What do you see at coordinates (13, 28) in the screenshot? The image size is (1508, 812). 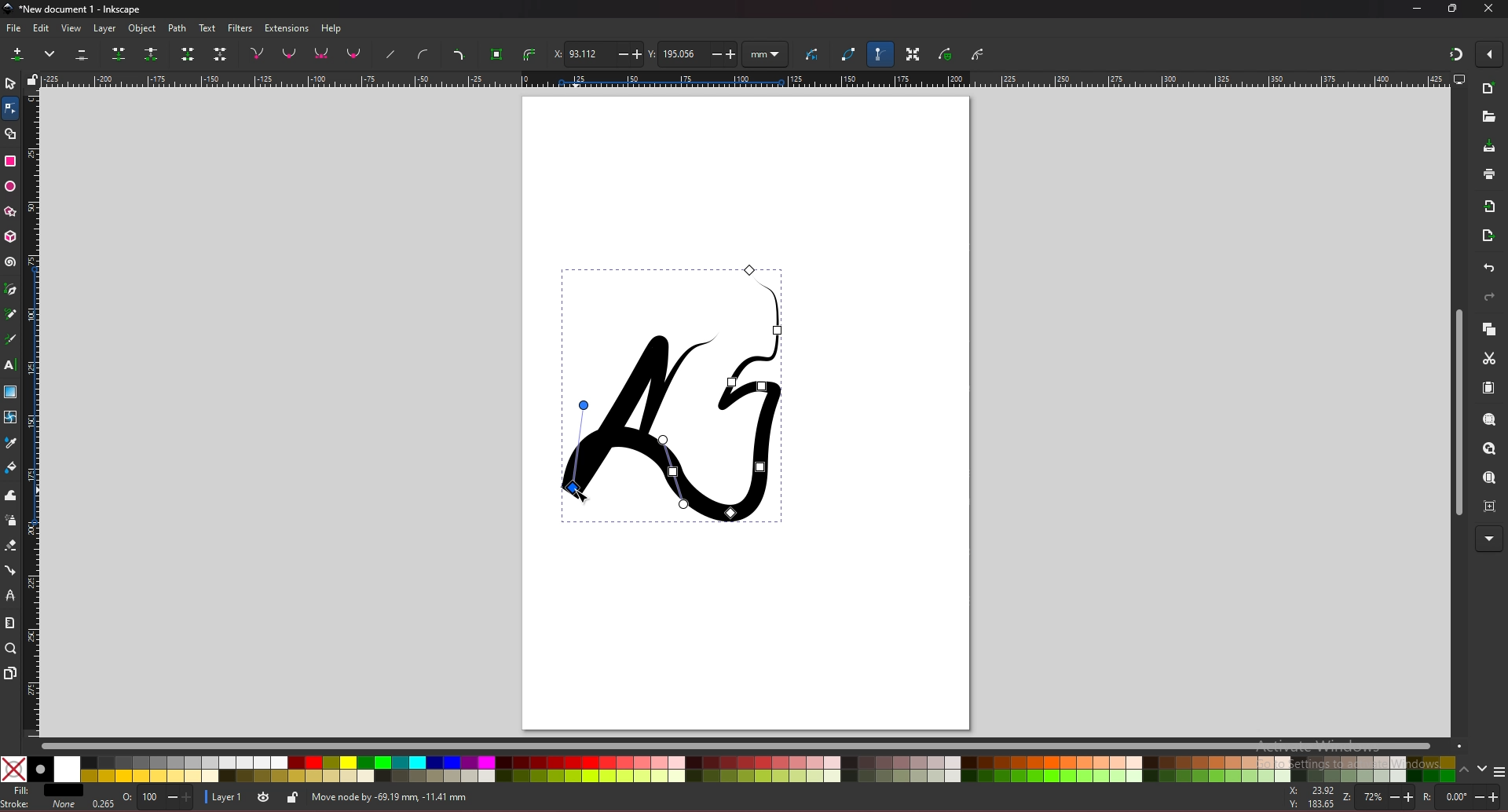 I see `file` at bounding box center [13, 28].